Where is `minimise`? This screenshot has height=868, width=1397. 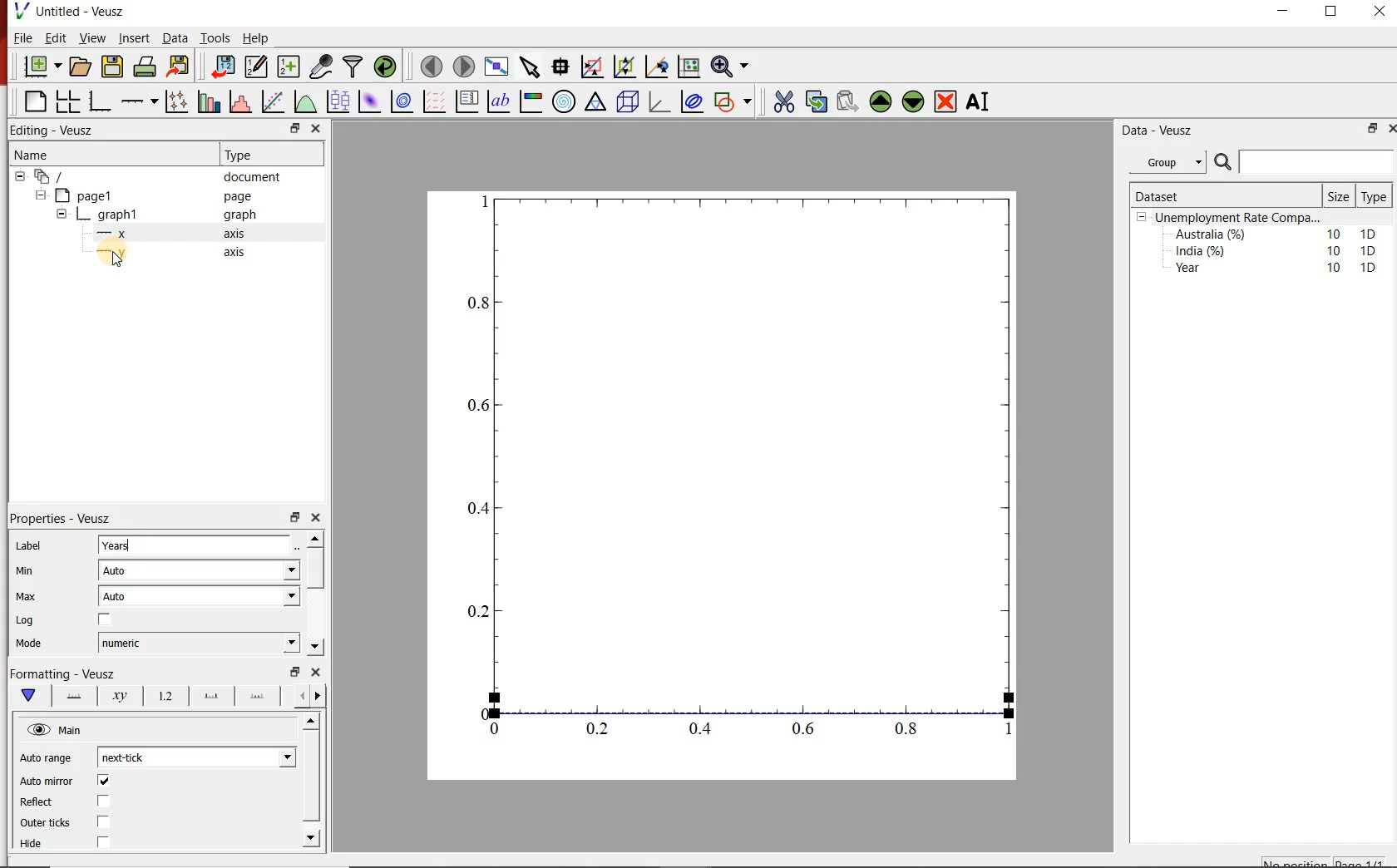
minimise is located at coordinates (294, 516).